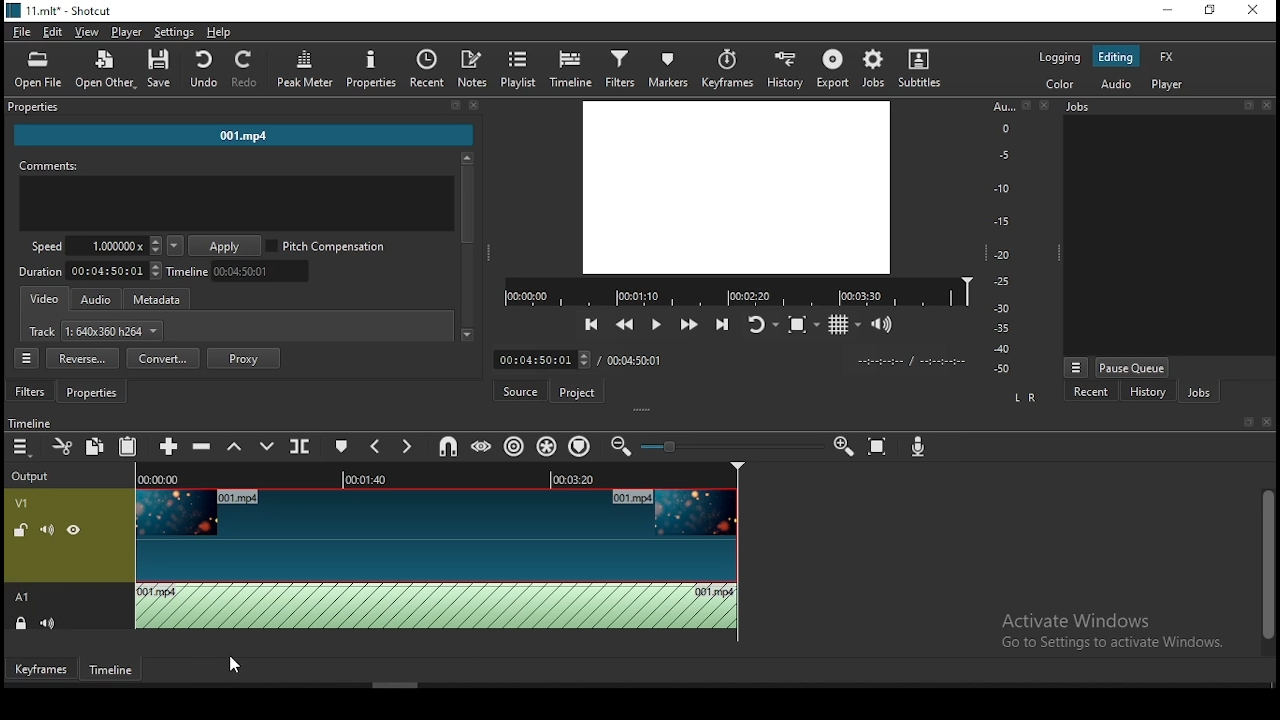 The image size is (1280, 720). Describe the element at coordinates (159, 298) in the screenshot. I see `metadata` at that location.